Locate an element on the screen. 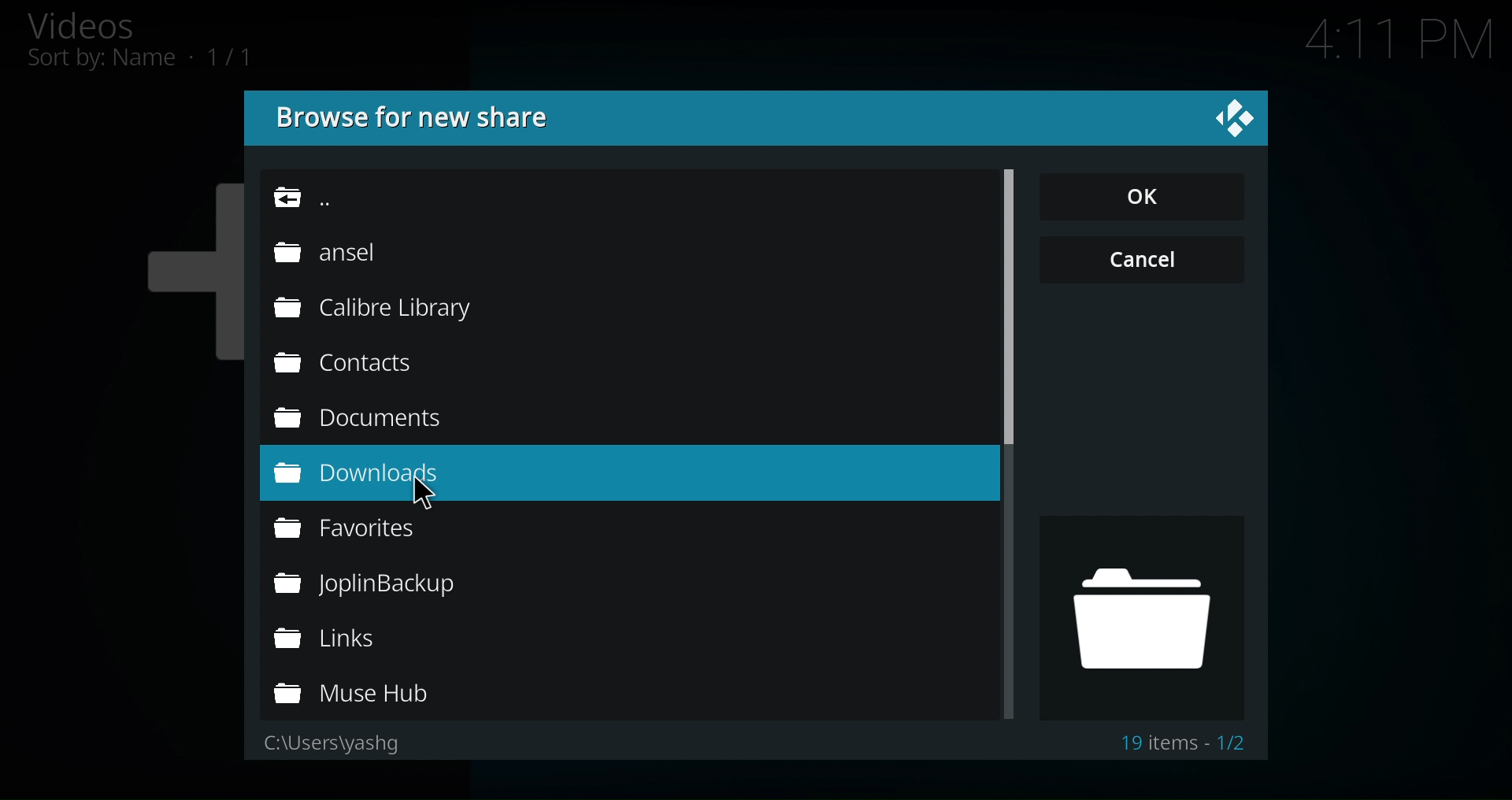 The image size is (1512, 800). Ansel is located at coordinates (325, 253).